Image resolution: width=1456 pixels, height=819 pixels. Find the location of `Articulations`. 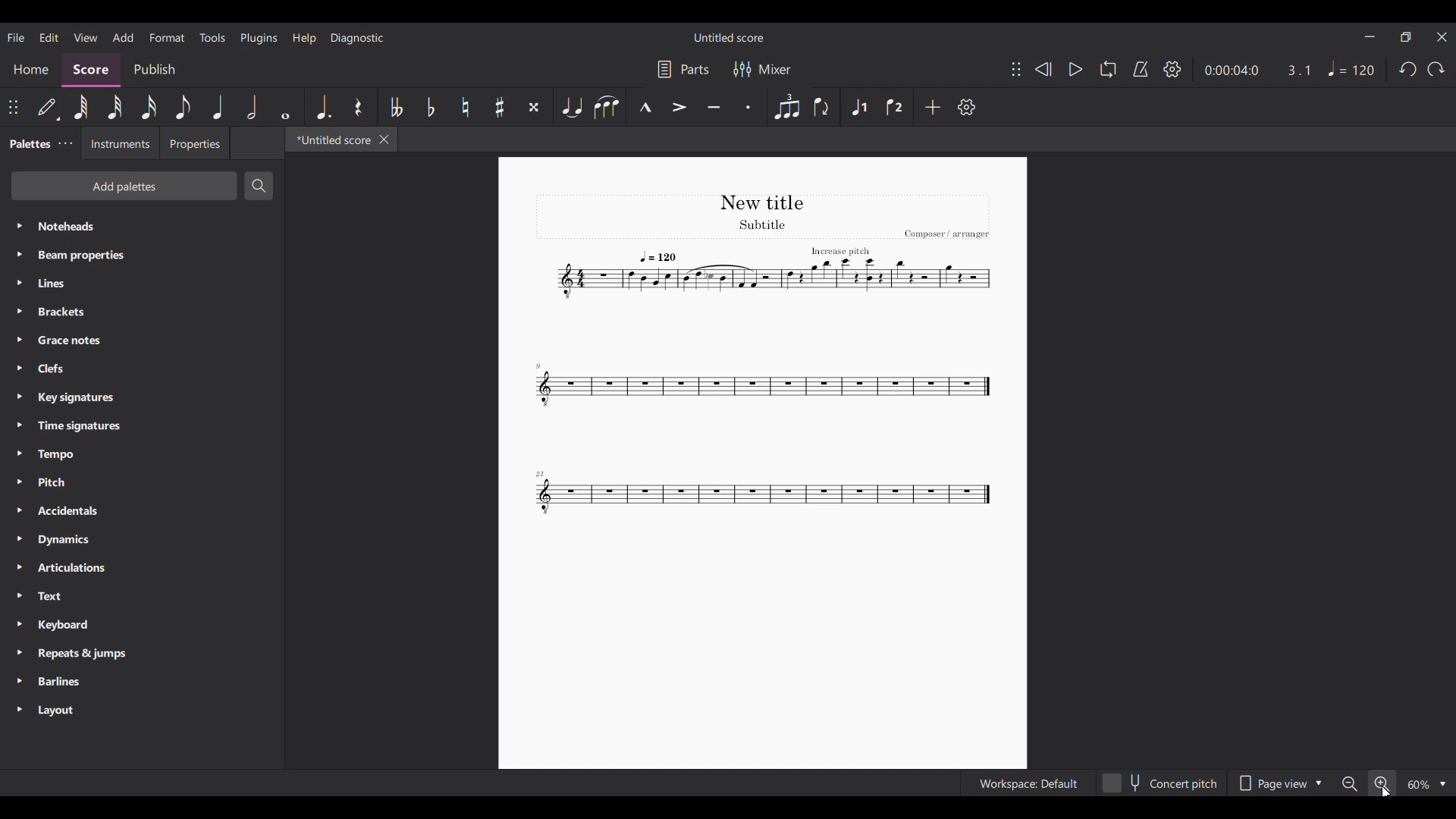

Articulations is located at coordinates (142, 568).